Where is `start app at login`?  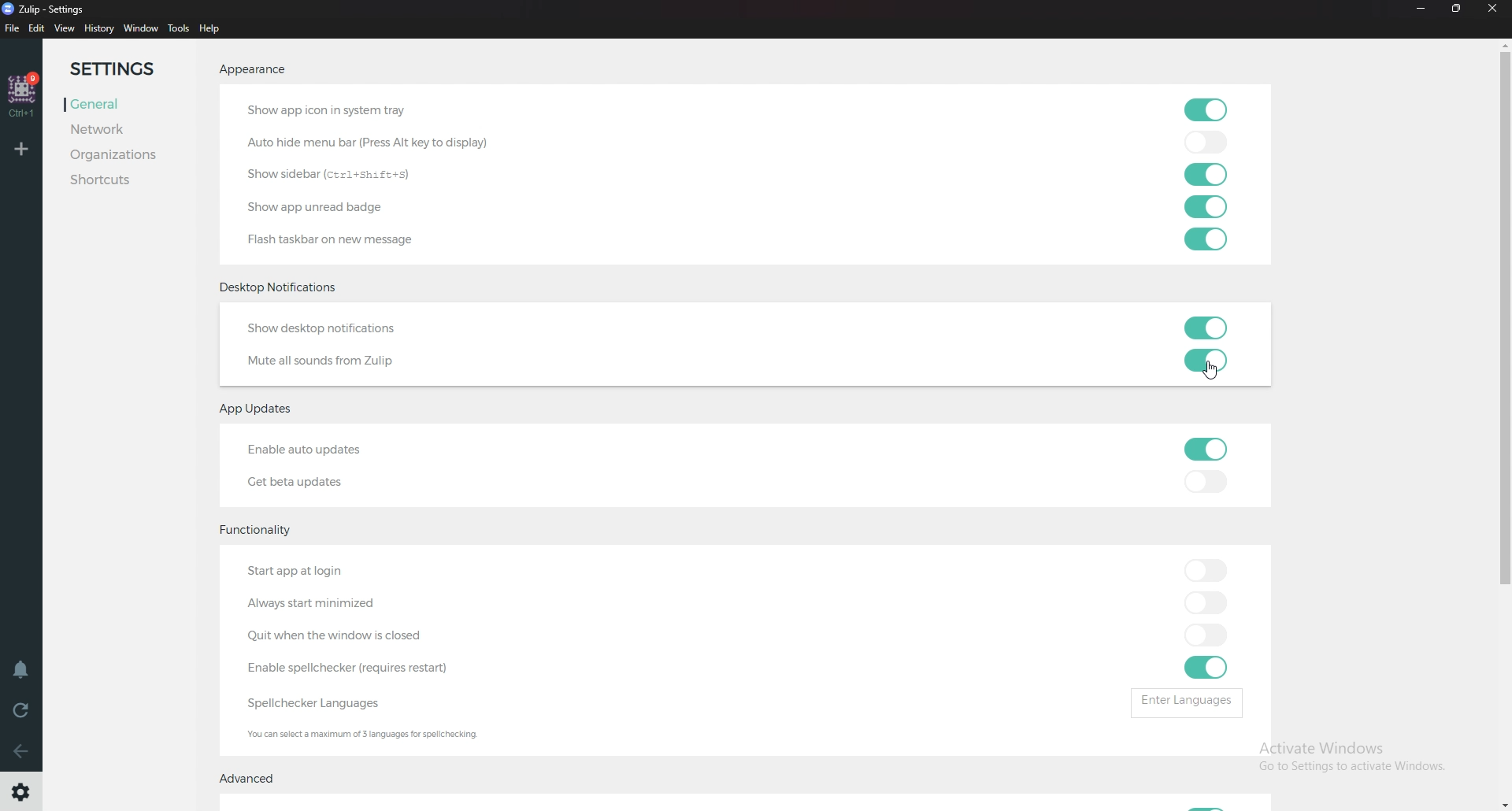 start app at login is located at coordinates (351, 567).